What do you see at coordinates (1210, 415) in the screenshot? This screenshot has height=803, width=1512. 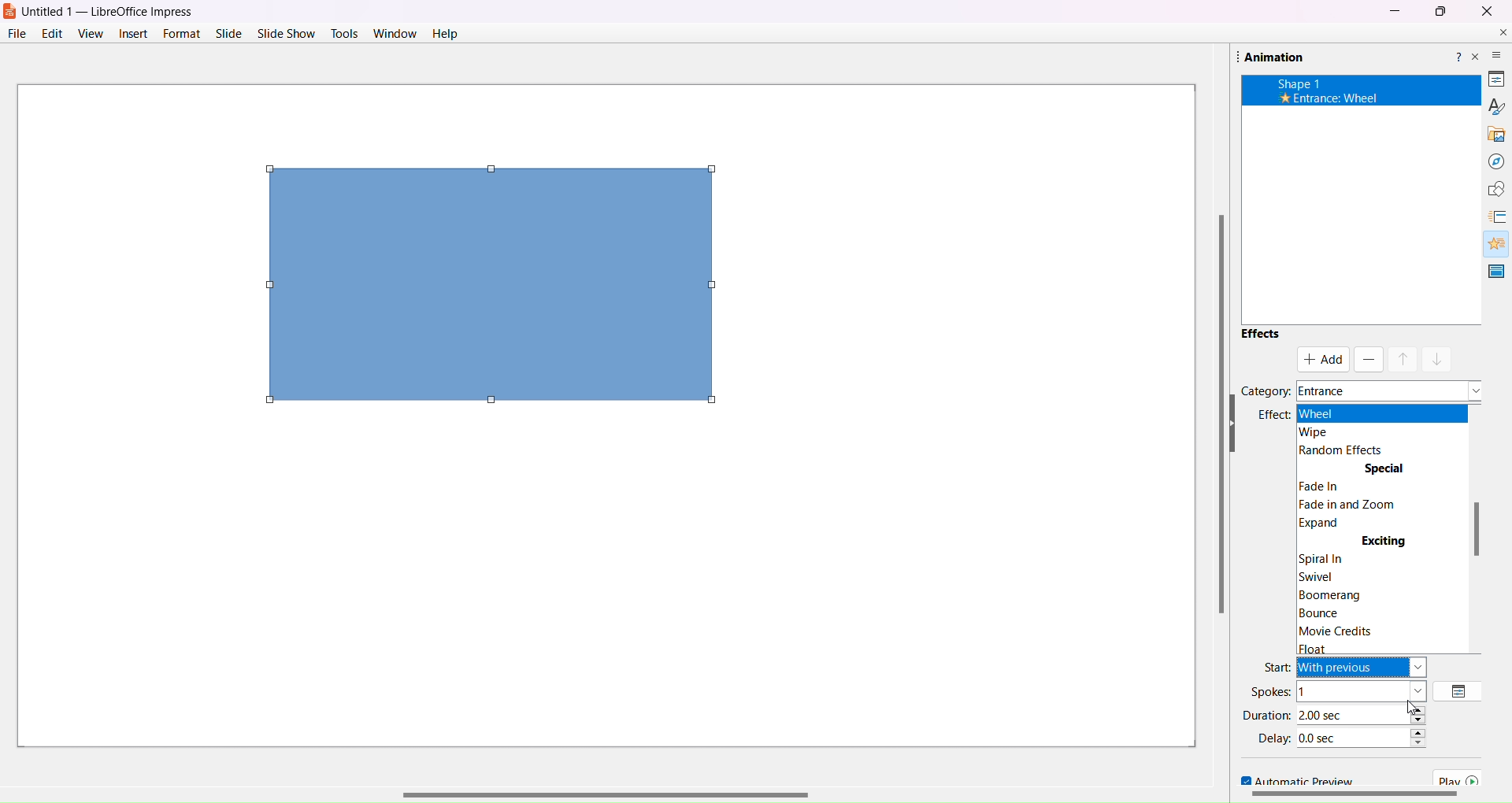 I see `Vertical Scroll Bar` at bounding box center [1210, 415].